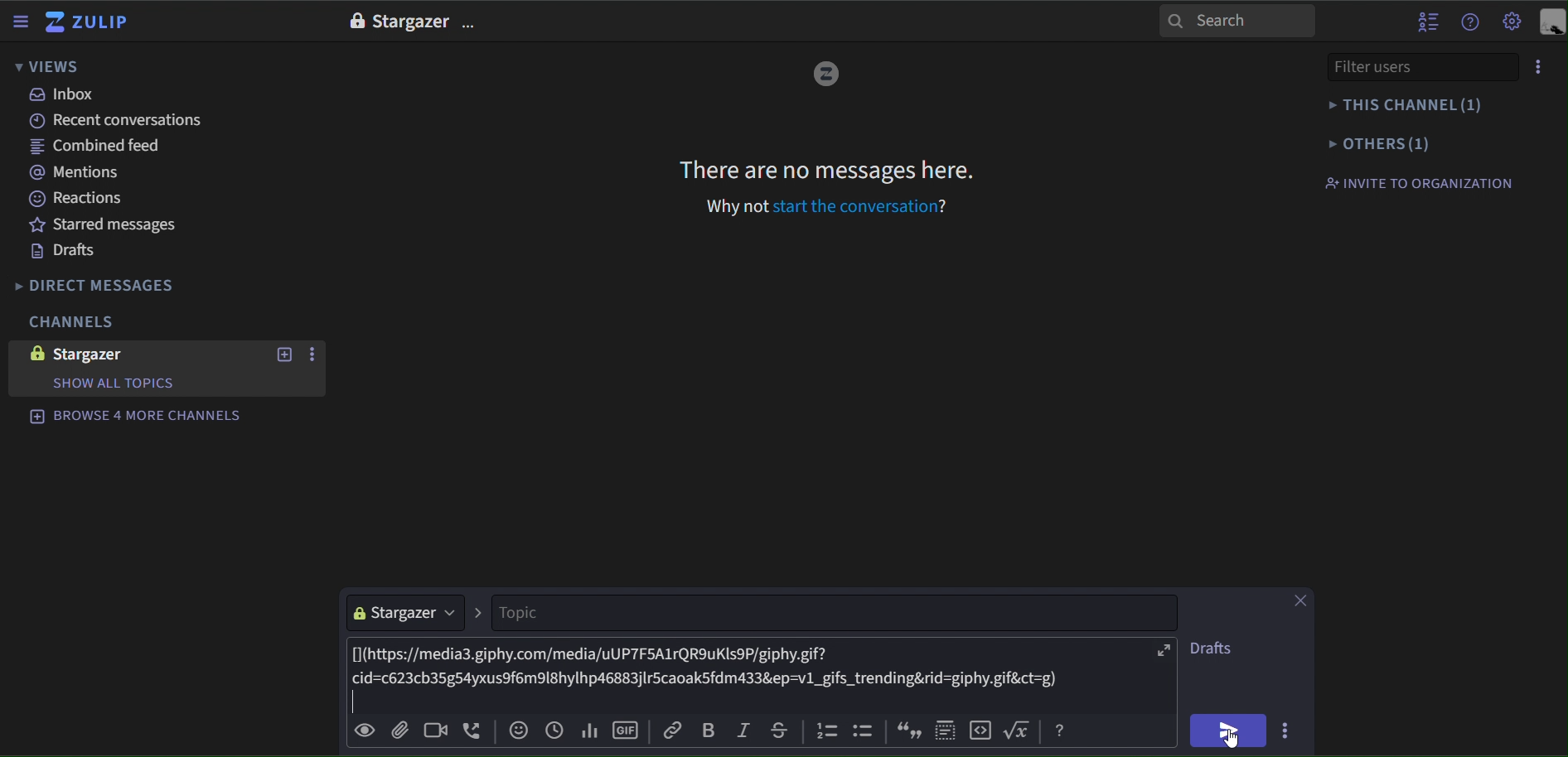  Describe the element at coordinates (1418, 182) in the screenshot. I see `Invite to Organization` at that location.